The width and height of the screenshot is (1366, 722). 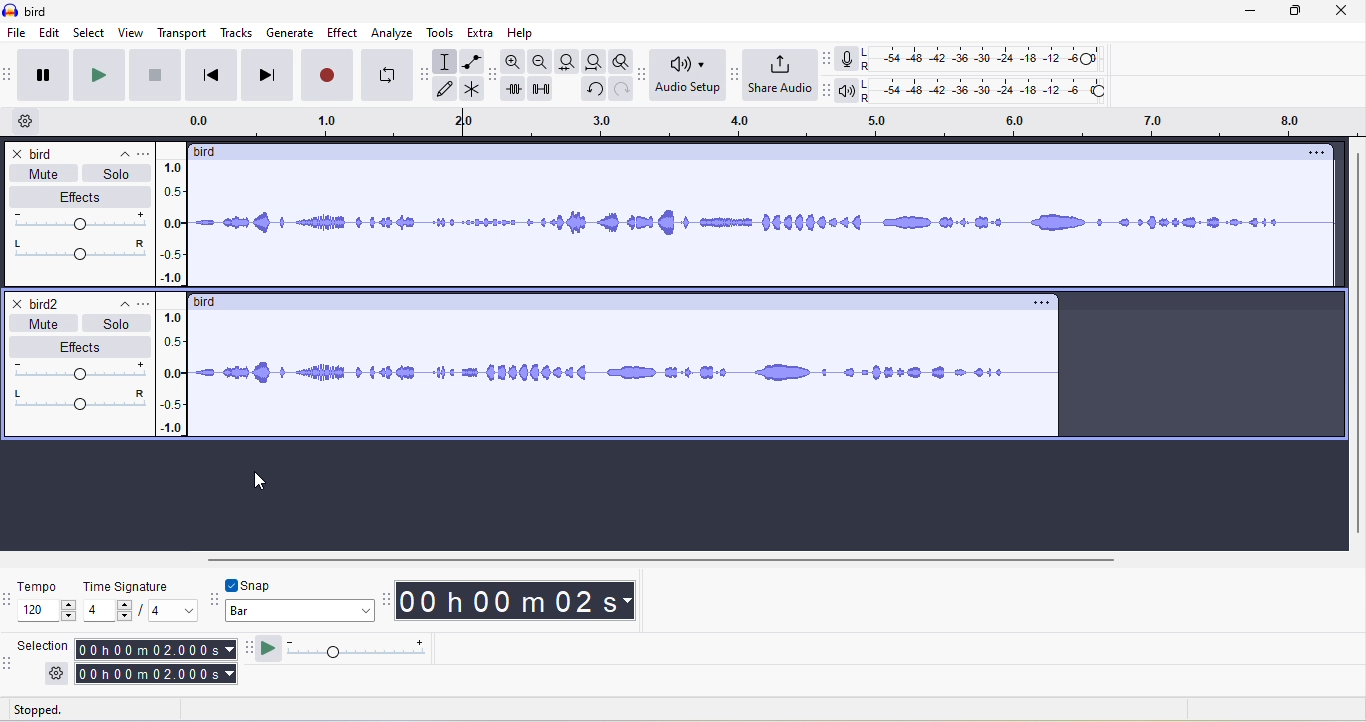 I want to click on snap, so click(x=259, y=585).